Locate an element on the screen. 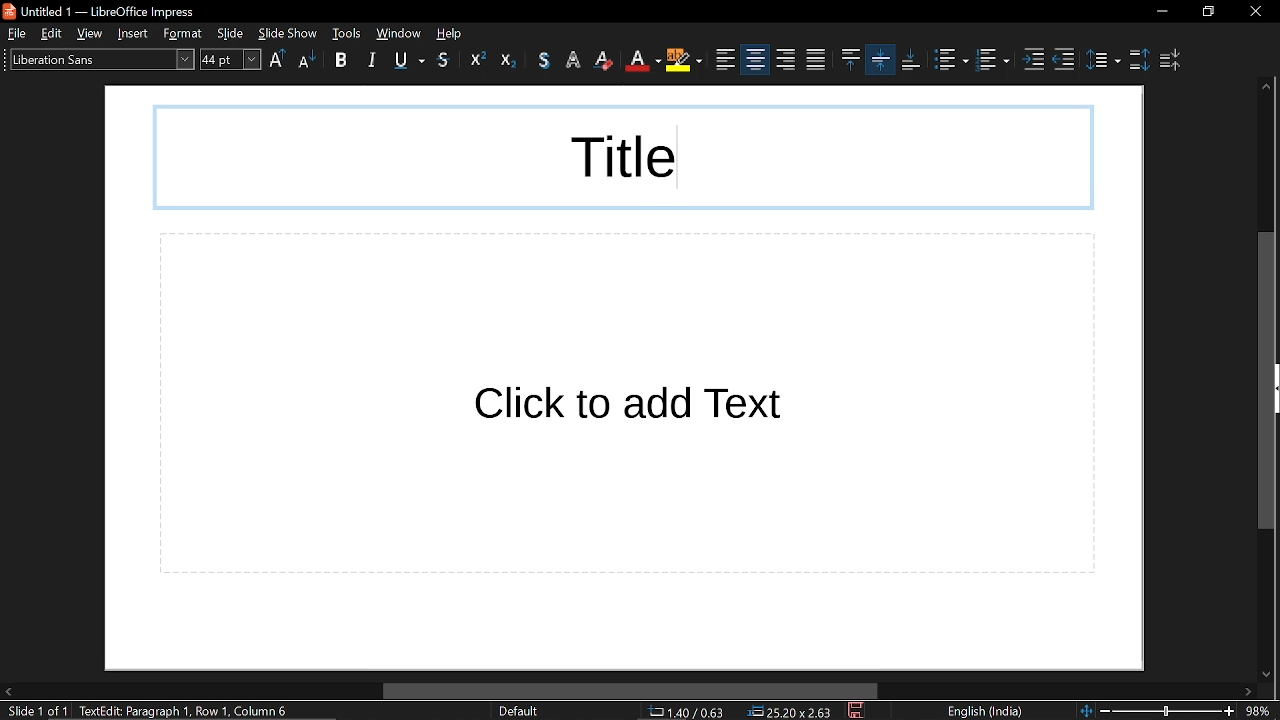 The height and width of the screenshot is (720, 1280). toggle unordered list is located at coordinates (950, 60).